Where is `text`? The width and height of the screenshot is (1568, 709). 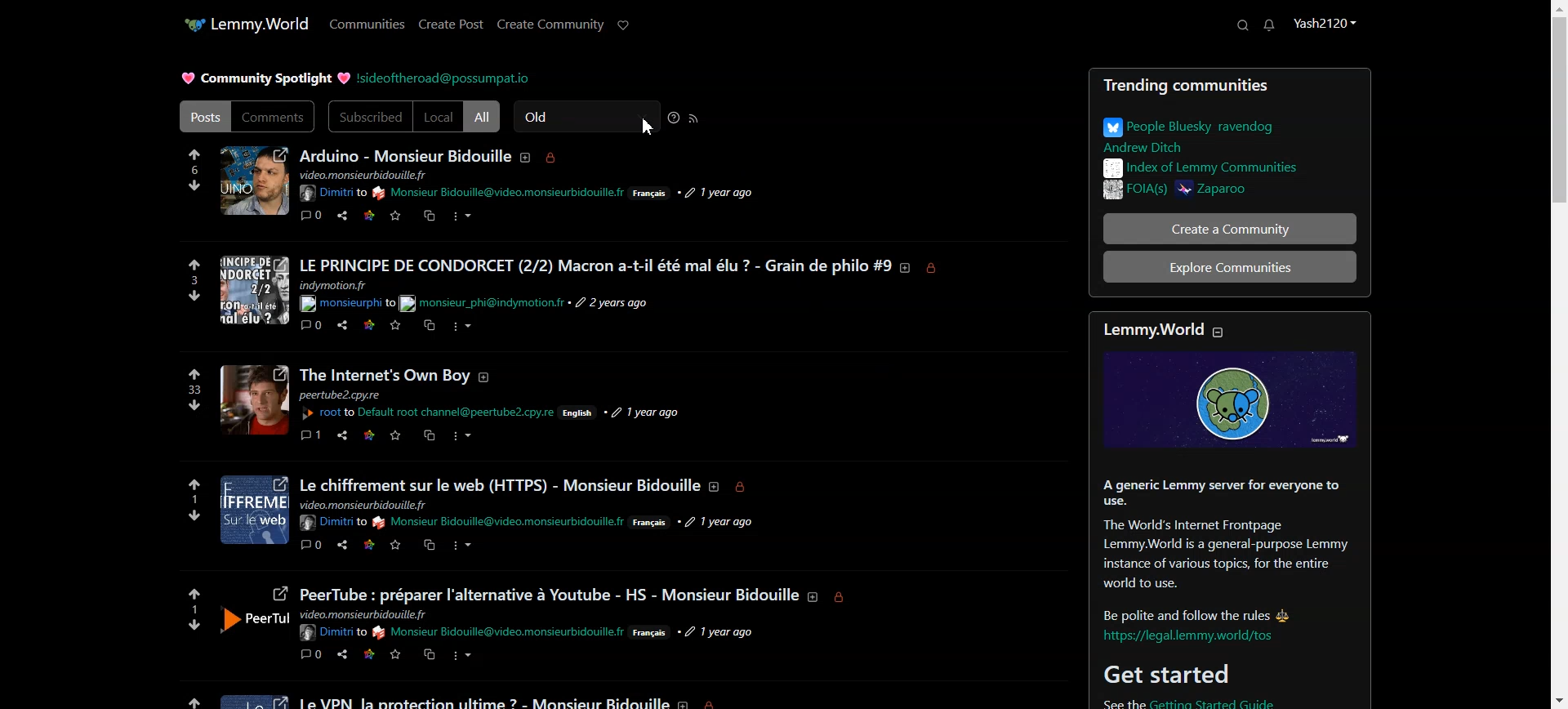
text is located at coordinates (487, 700).